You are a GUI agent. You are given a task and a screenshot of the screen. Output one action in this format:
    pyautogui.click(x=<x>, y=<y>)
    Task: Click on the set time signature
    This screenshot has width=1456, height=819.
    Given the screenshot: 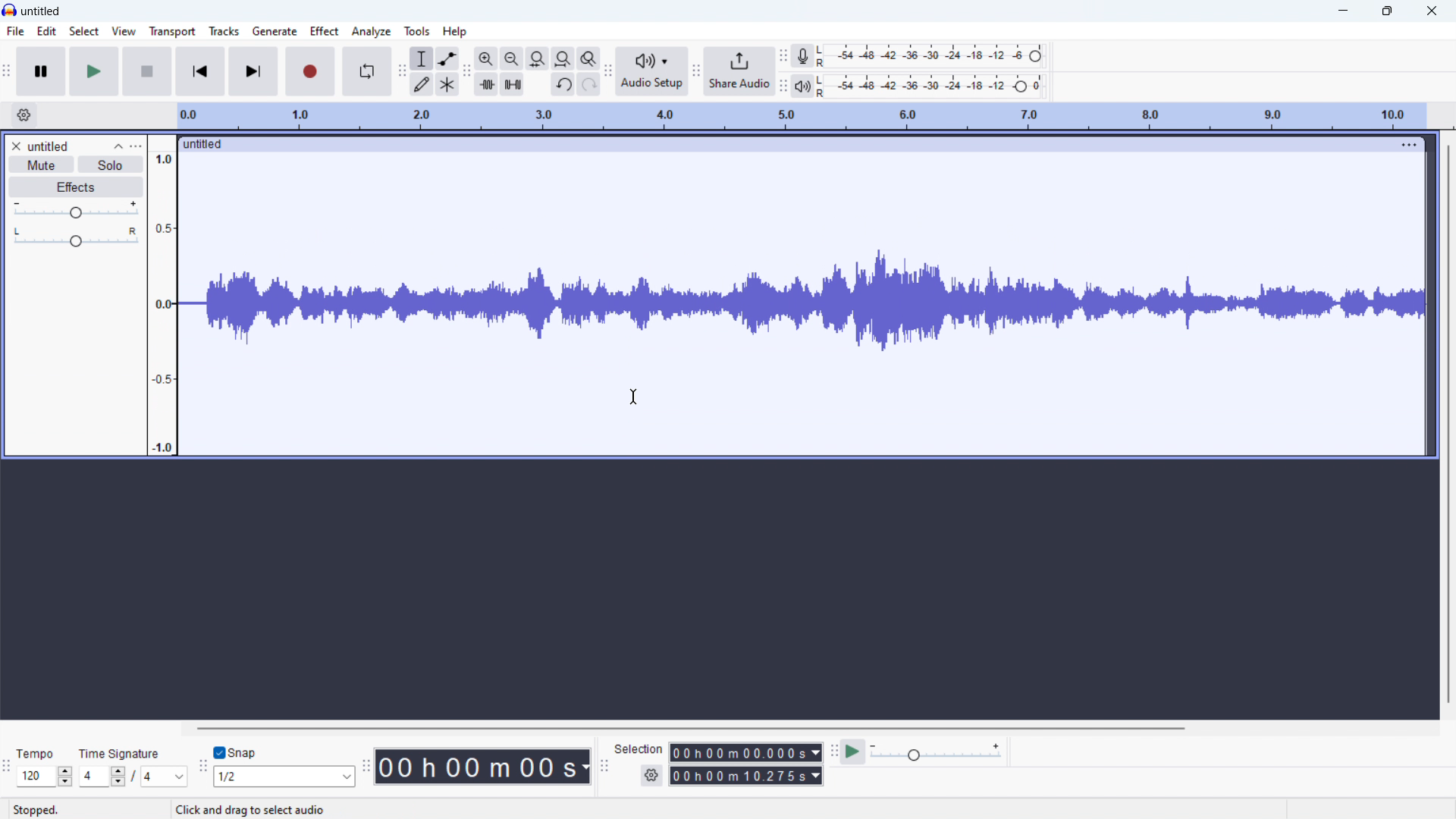 What is the action you would take?
    pyautogui.click(x=132, y=777)
    